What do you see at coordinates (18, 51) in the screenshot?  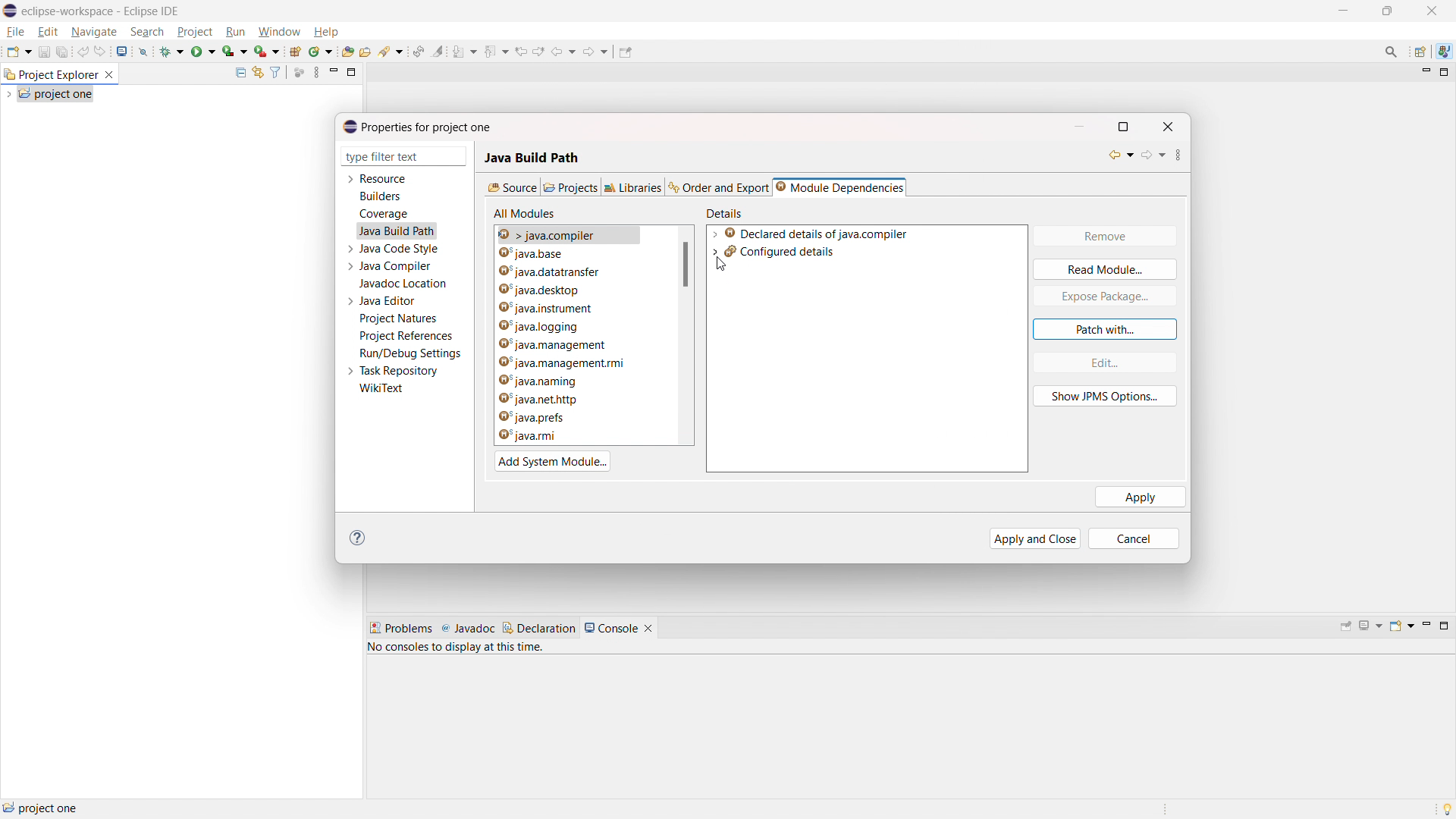 I see `new` at bounding box center [18, 51].